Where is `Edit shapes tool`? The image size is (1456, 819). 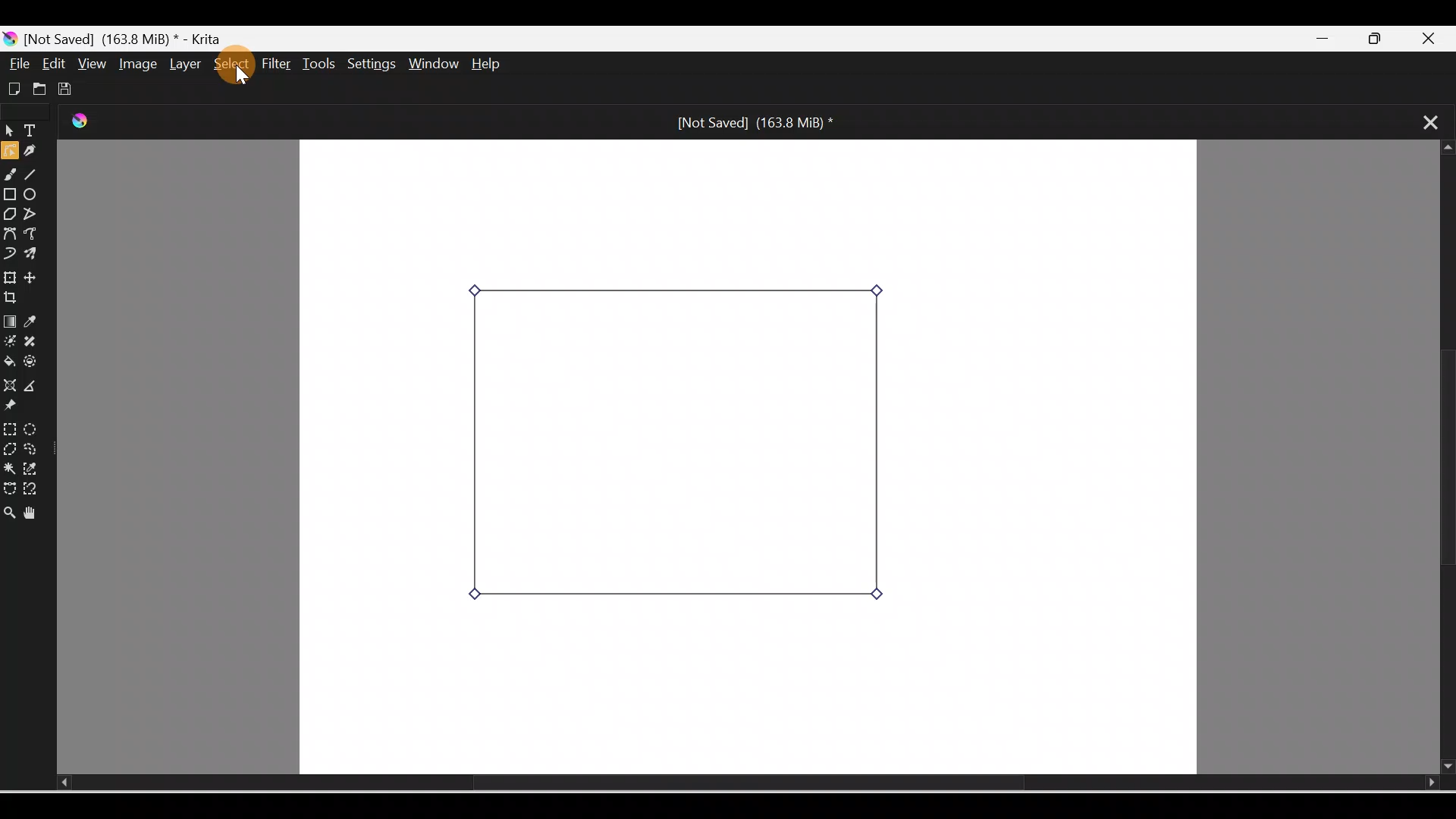
Edit shapes tool is located at coordinates (9, 153).